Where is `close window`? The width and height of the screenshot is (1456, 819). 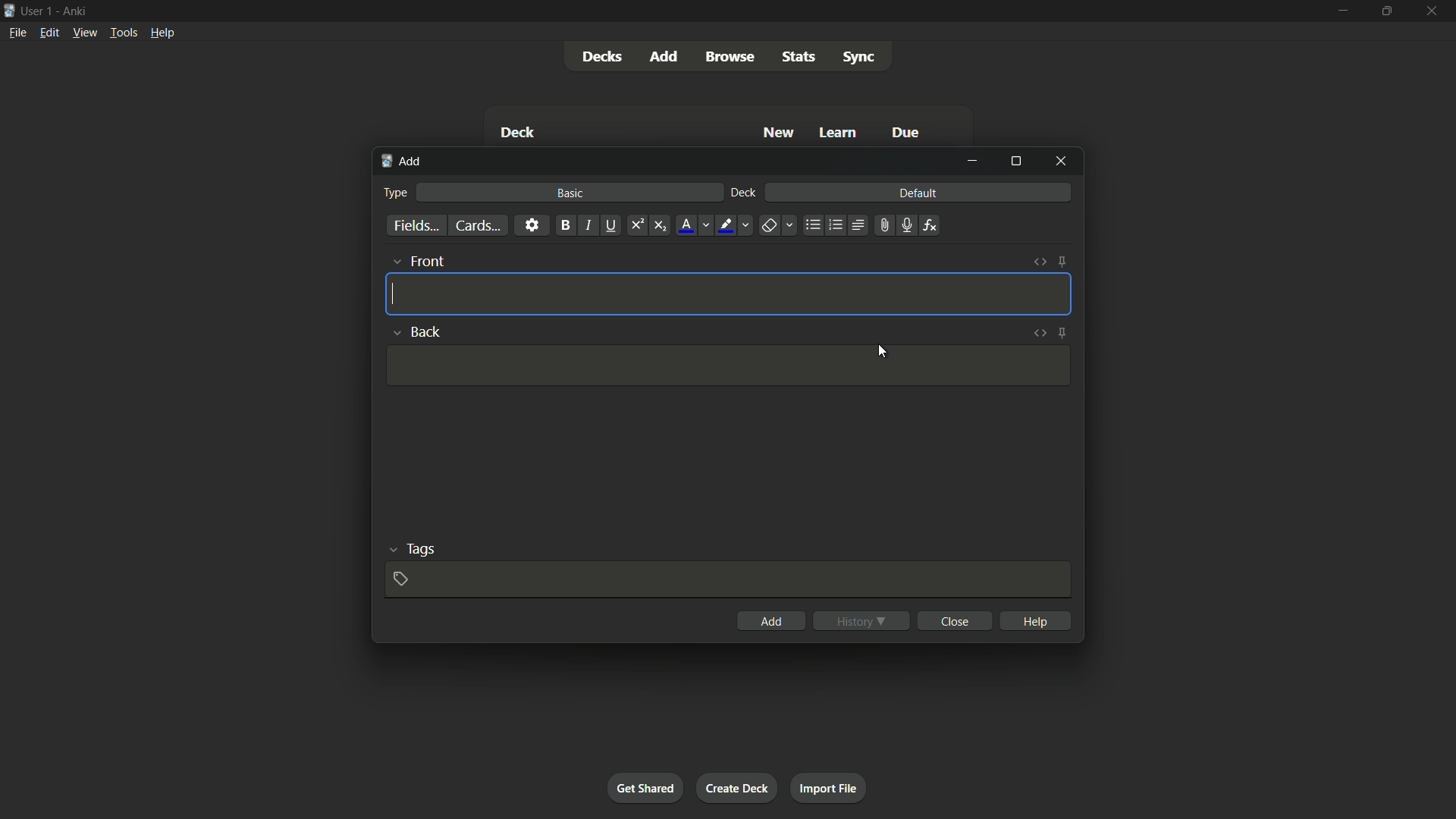 close window is located at coordinates (1061, 162).